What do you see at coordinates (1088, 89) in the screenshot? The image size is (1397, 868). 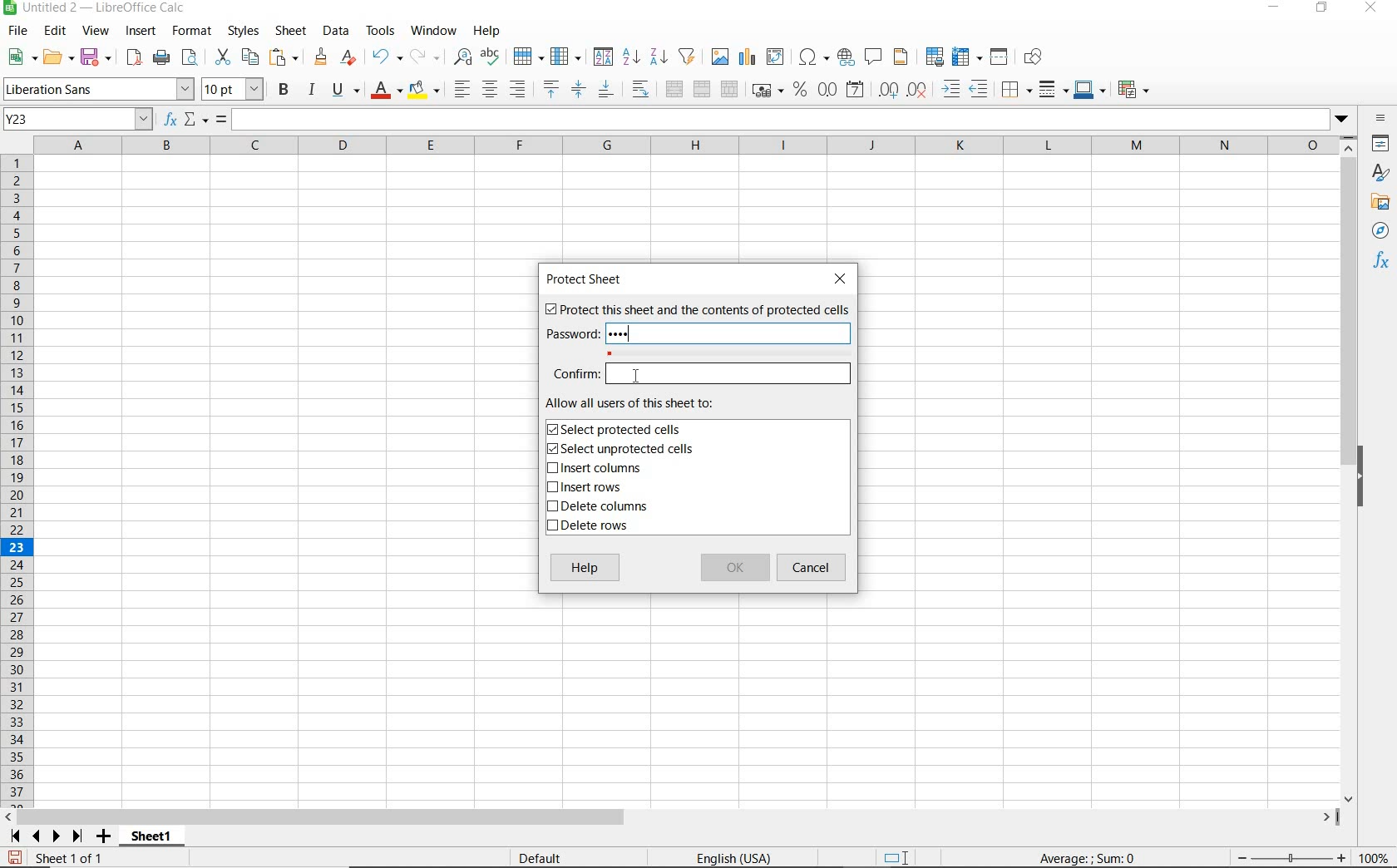 I see `BORDER COLOR` at bounding box center [1088, 89].